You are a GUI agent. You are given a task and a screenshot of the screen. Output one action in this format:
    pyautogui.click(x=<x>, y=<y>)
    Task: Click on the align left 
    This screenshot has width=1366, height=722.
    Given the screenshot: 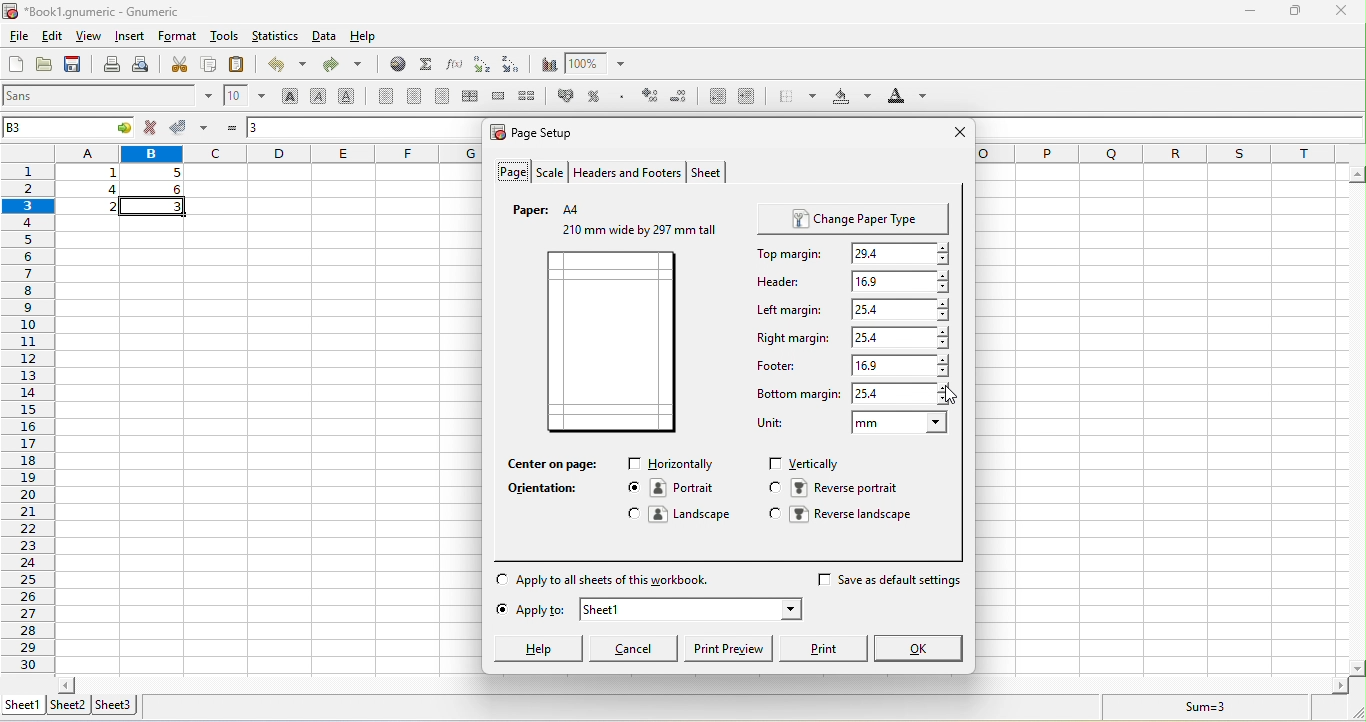 What is the action you would take?
    pyautogui.click(x=384, y=97)
    